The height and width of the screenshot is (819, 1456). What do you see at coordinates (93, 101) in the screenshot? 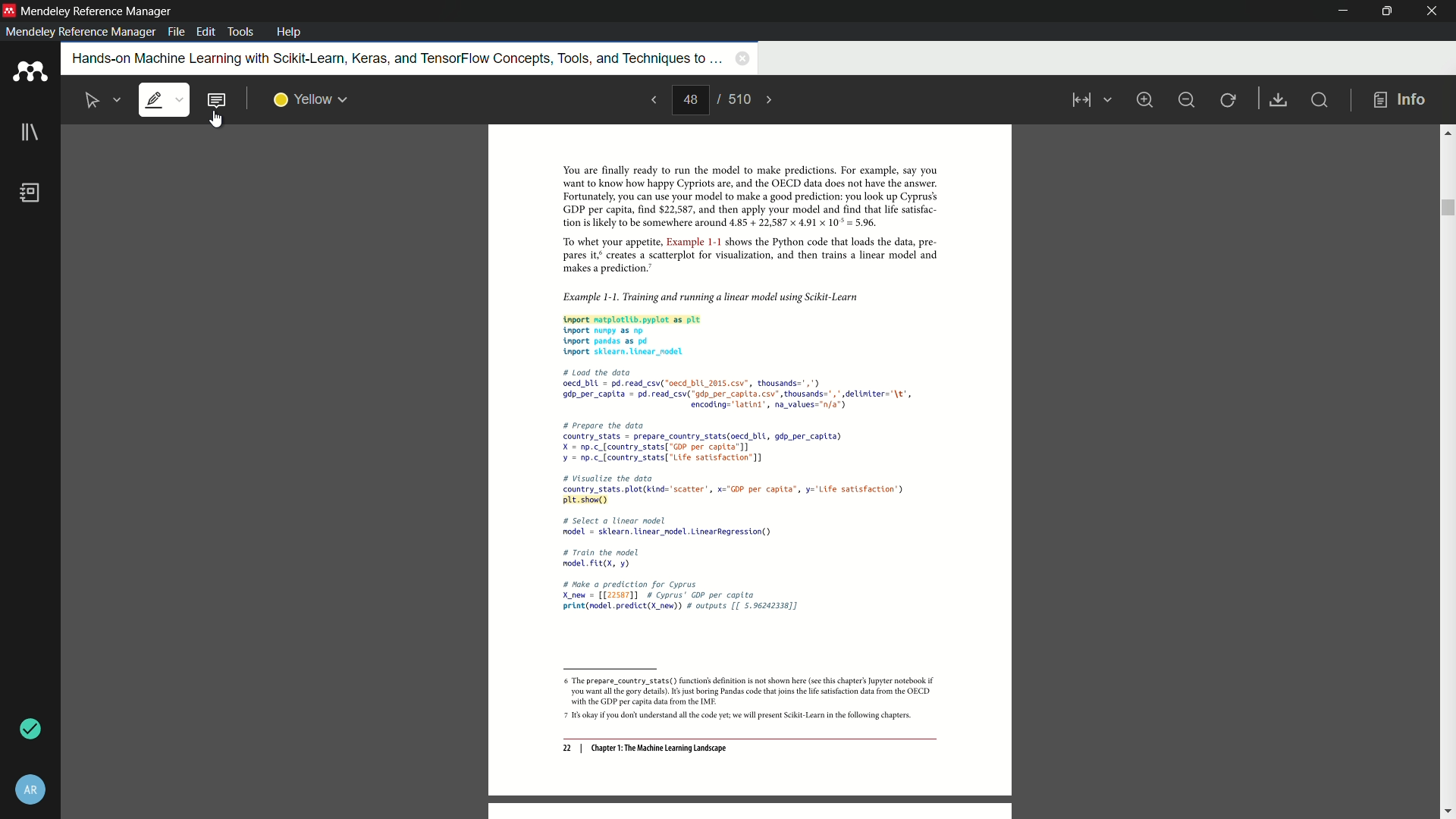
I see `select` at bounding box center [93, 101].